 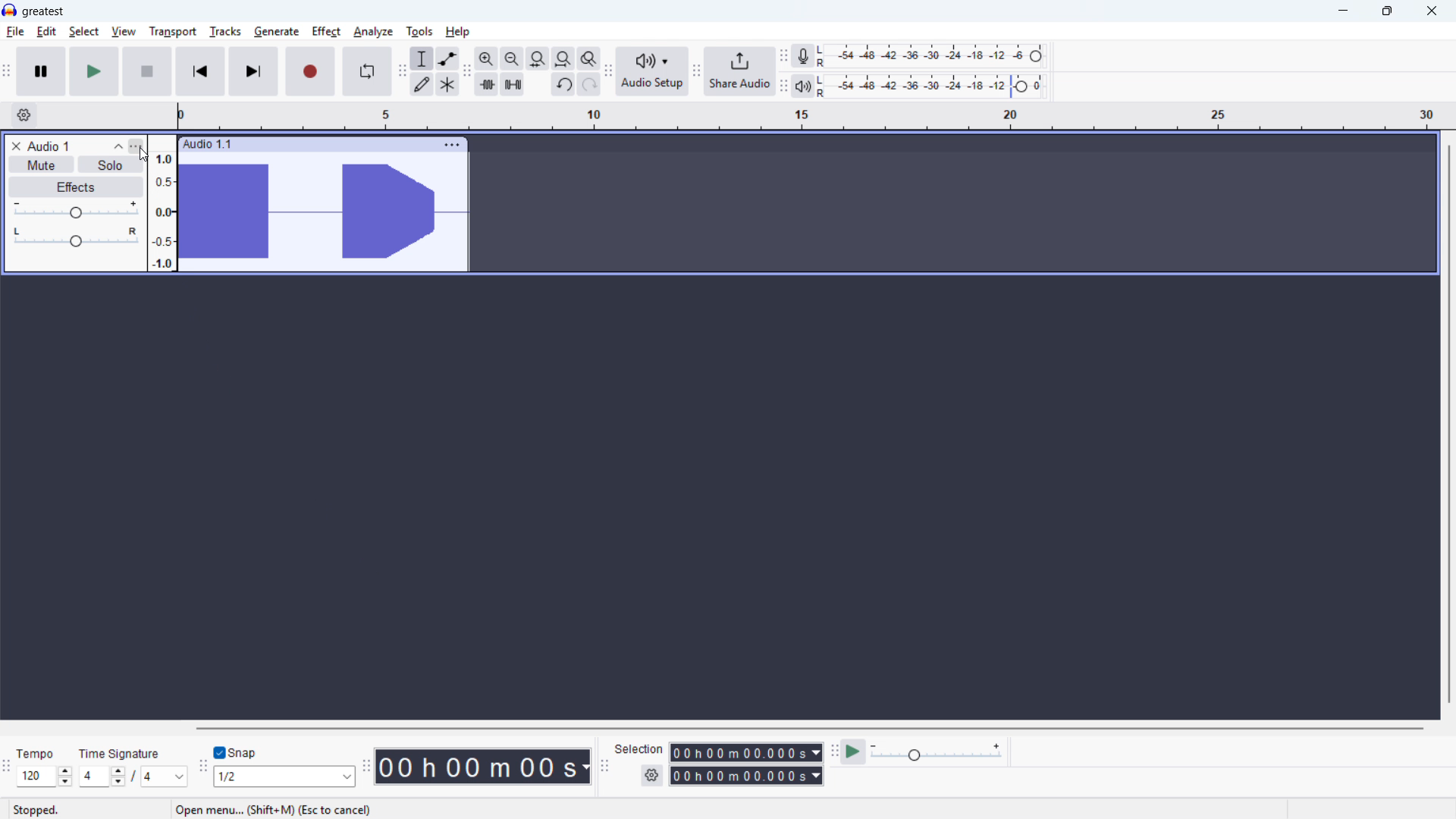 What do you see at coordinates (641, 748) in the screenshot?
I see `selection` at bounding box center [641, 748].